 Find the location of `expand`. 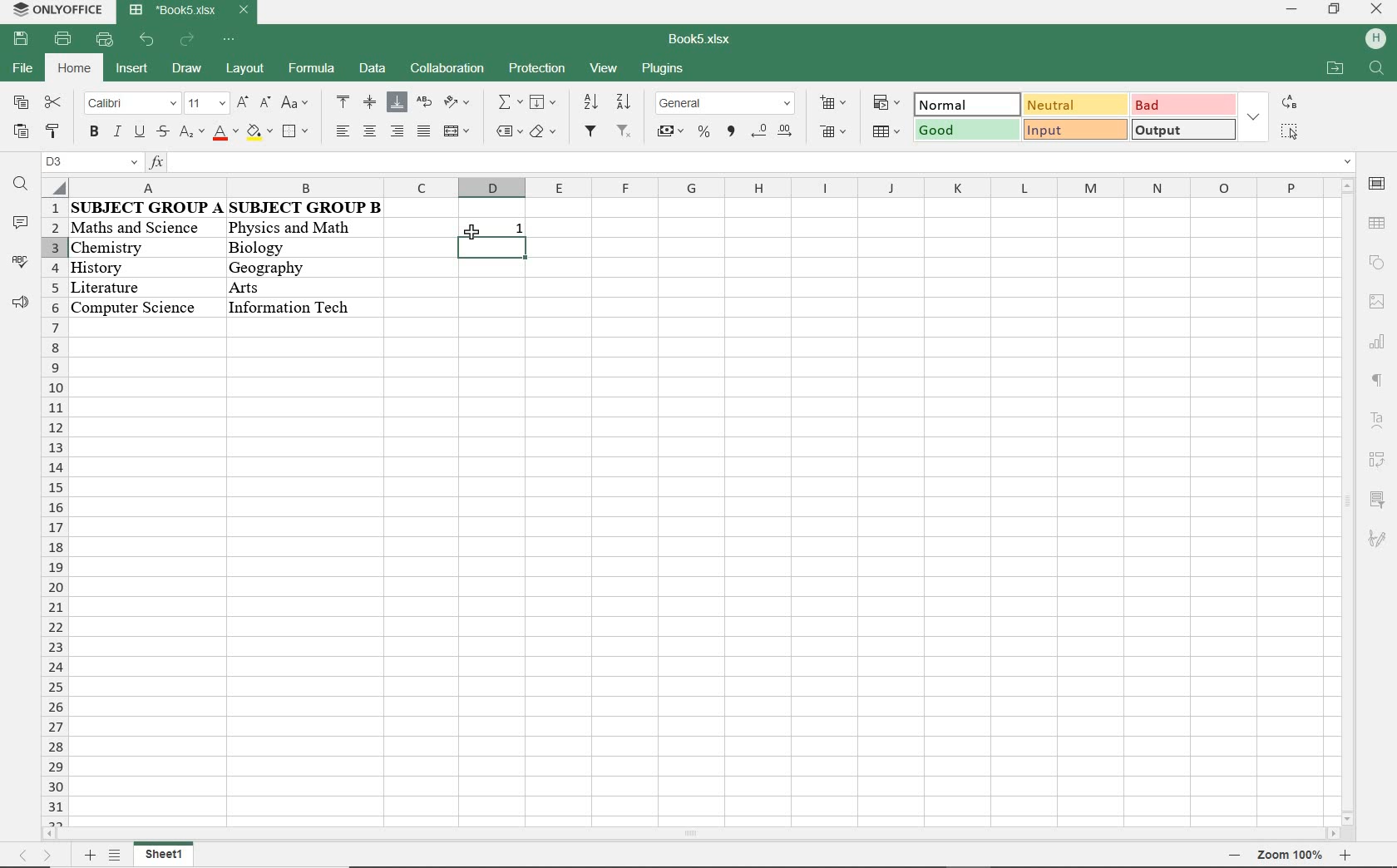

expand is located at coordinates (1255, 118).